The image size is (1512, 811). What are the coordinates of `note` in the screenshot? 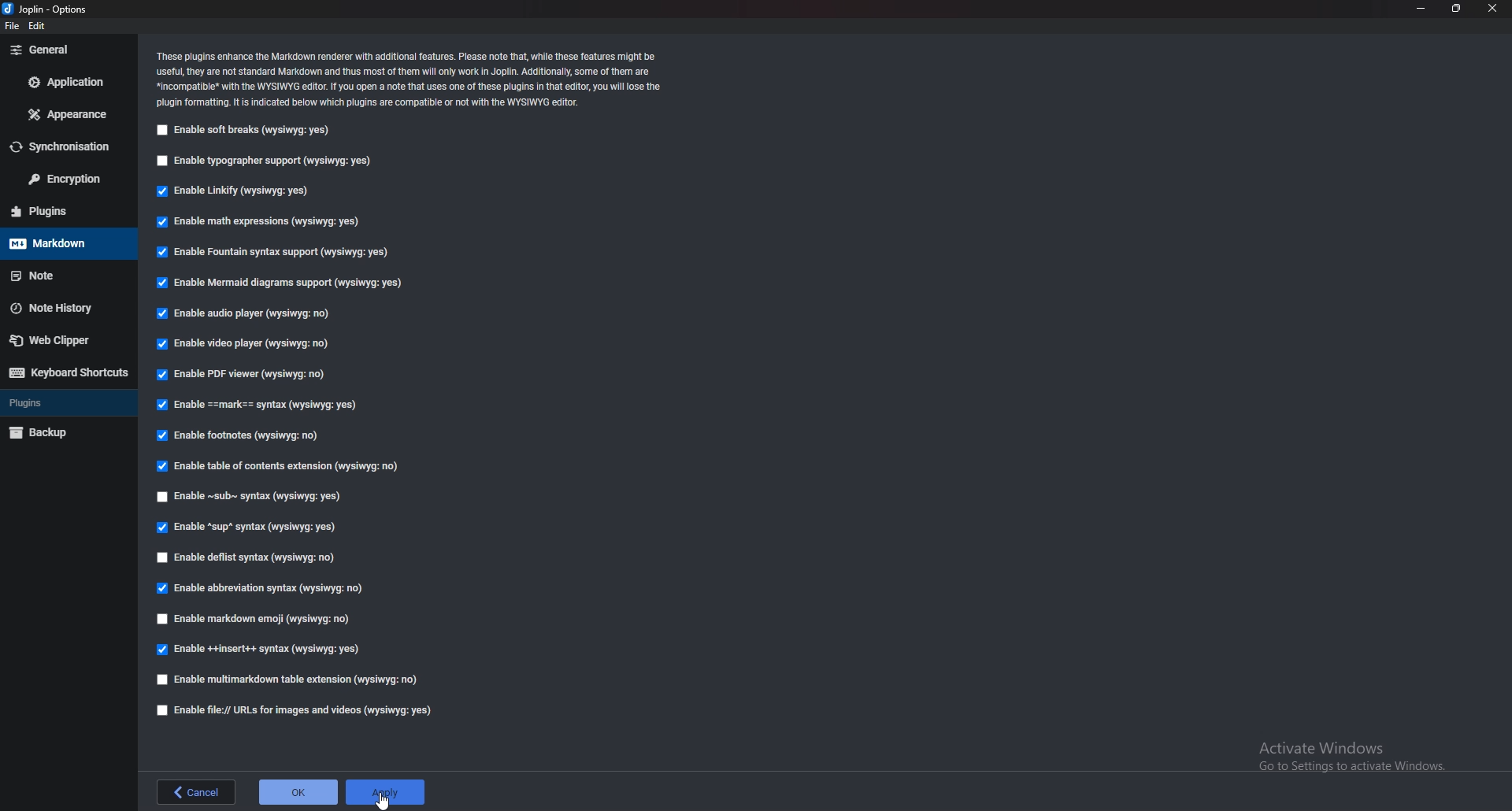 It's located at (61, 276).